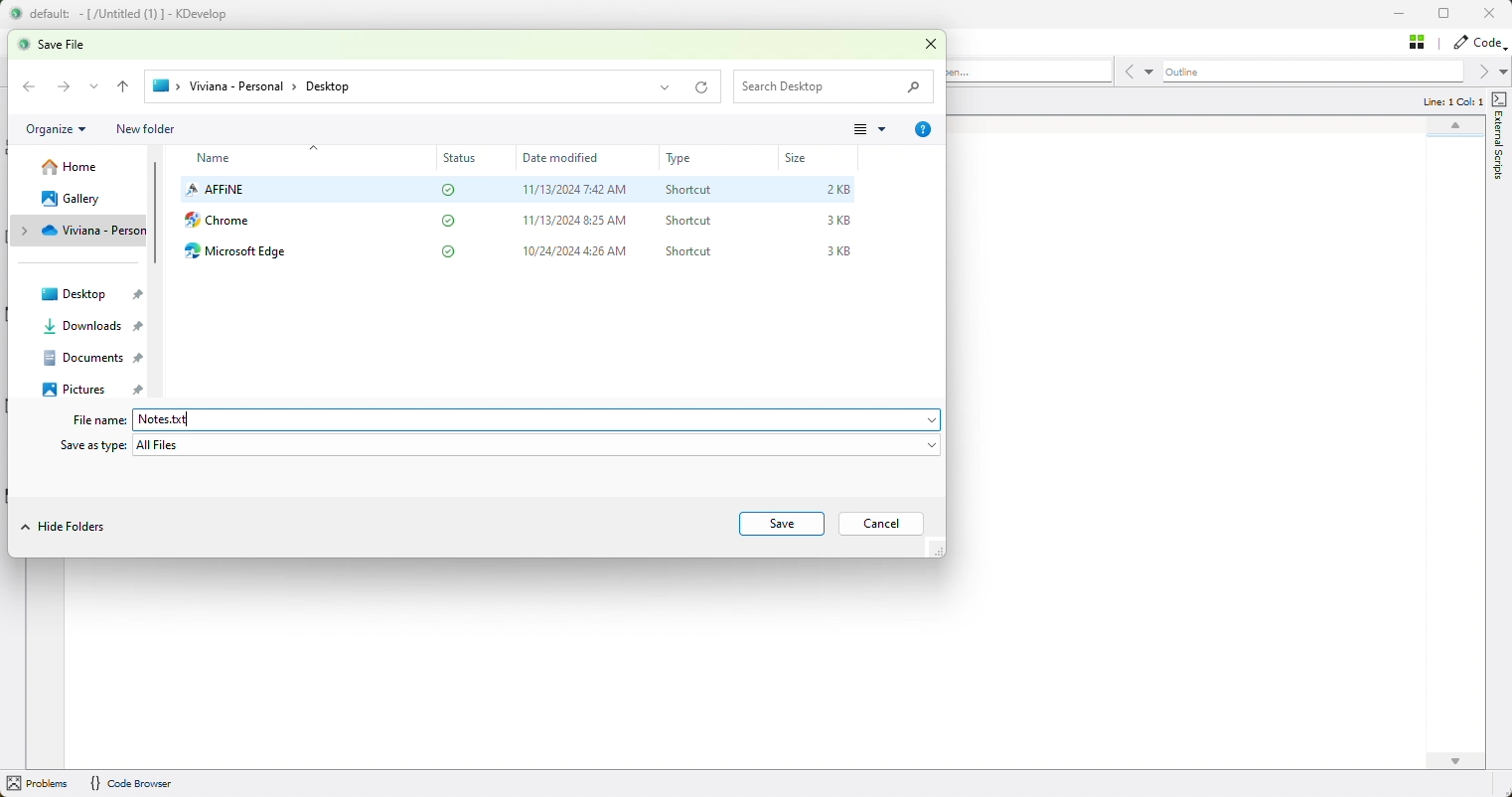 The height and width of the screenshot is (797, 1512). Describe the element at coordinates (1477, 43) in the screenshot. I see `code` at that location.